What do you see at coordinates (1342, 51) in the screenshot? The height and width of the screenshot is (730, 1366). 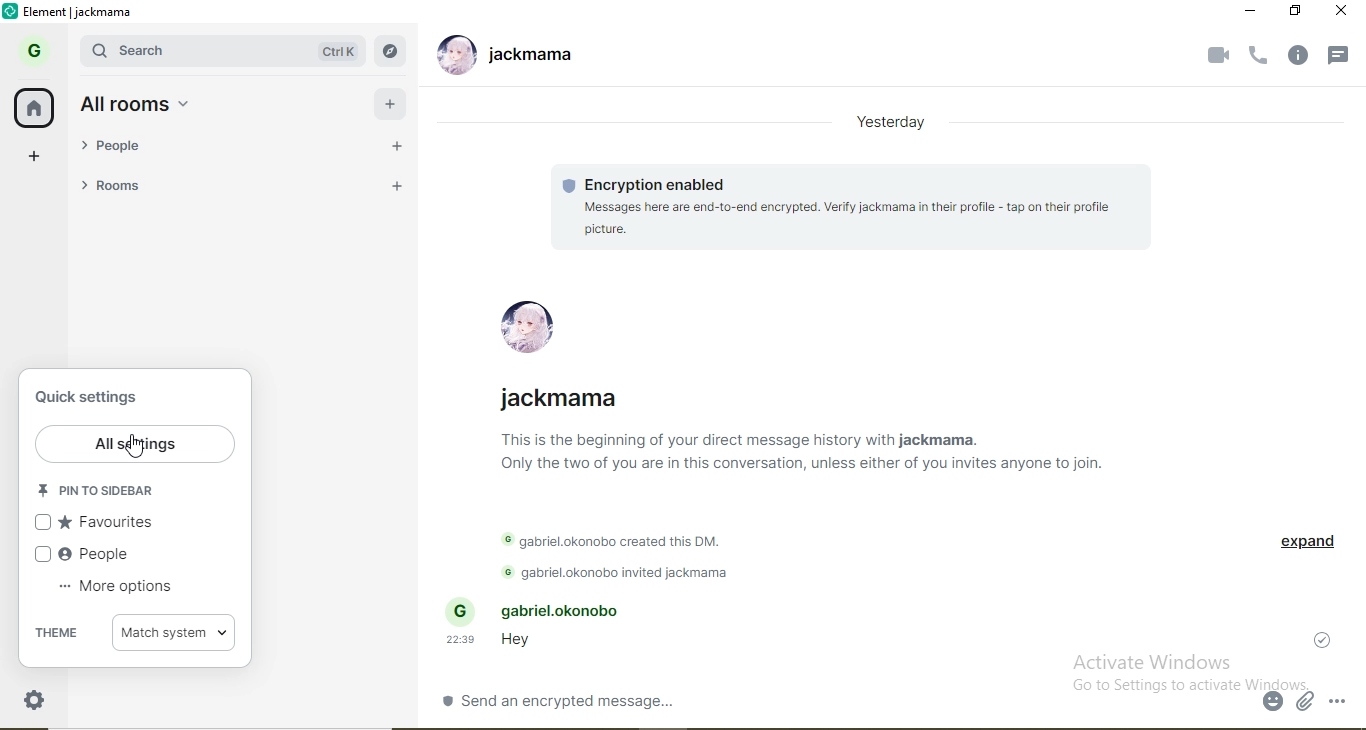 I see `notification` at bounding box center [1342, 51].